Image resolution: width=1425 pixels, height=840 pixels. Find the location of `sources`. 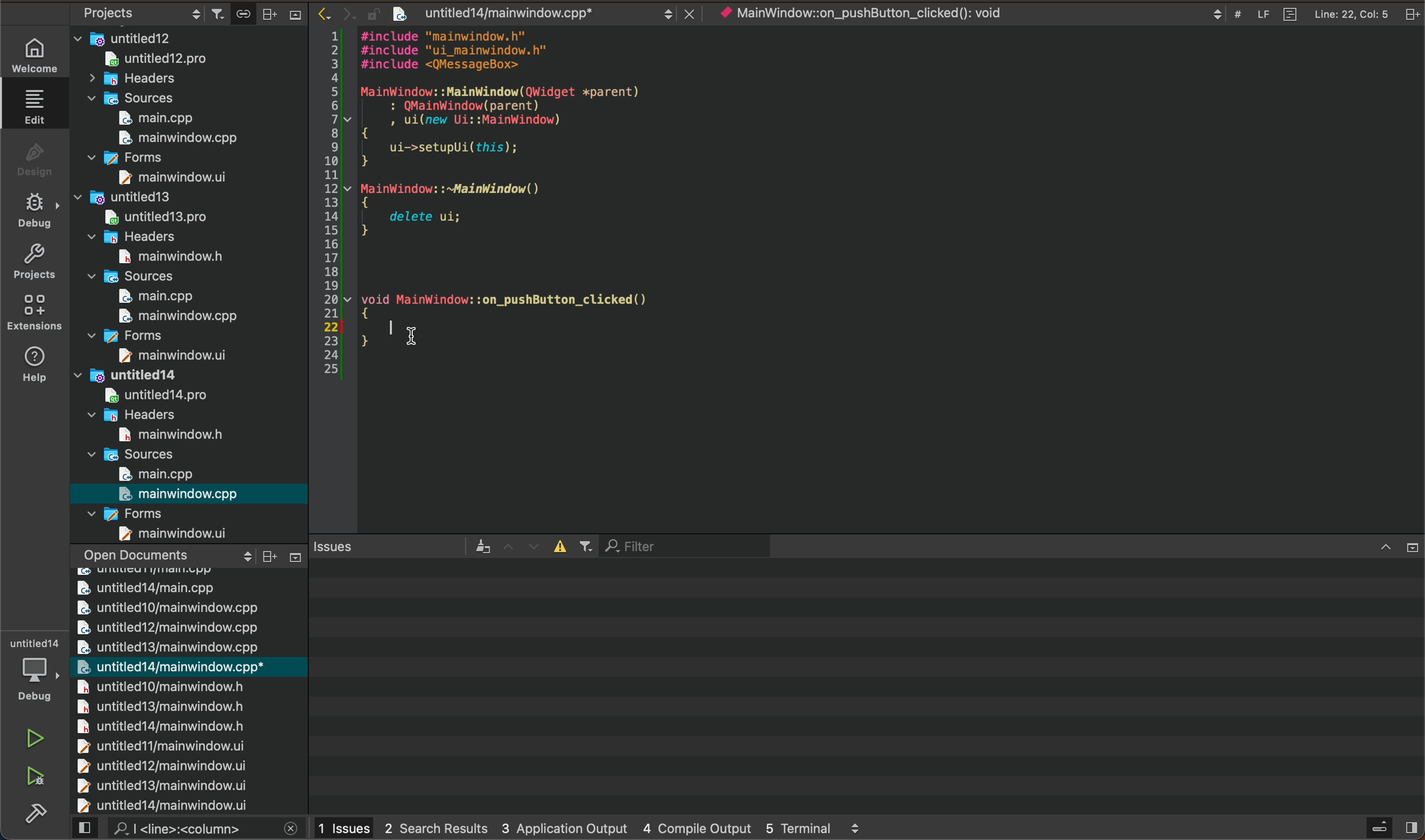

sources is located at coordinates (139, 276).